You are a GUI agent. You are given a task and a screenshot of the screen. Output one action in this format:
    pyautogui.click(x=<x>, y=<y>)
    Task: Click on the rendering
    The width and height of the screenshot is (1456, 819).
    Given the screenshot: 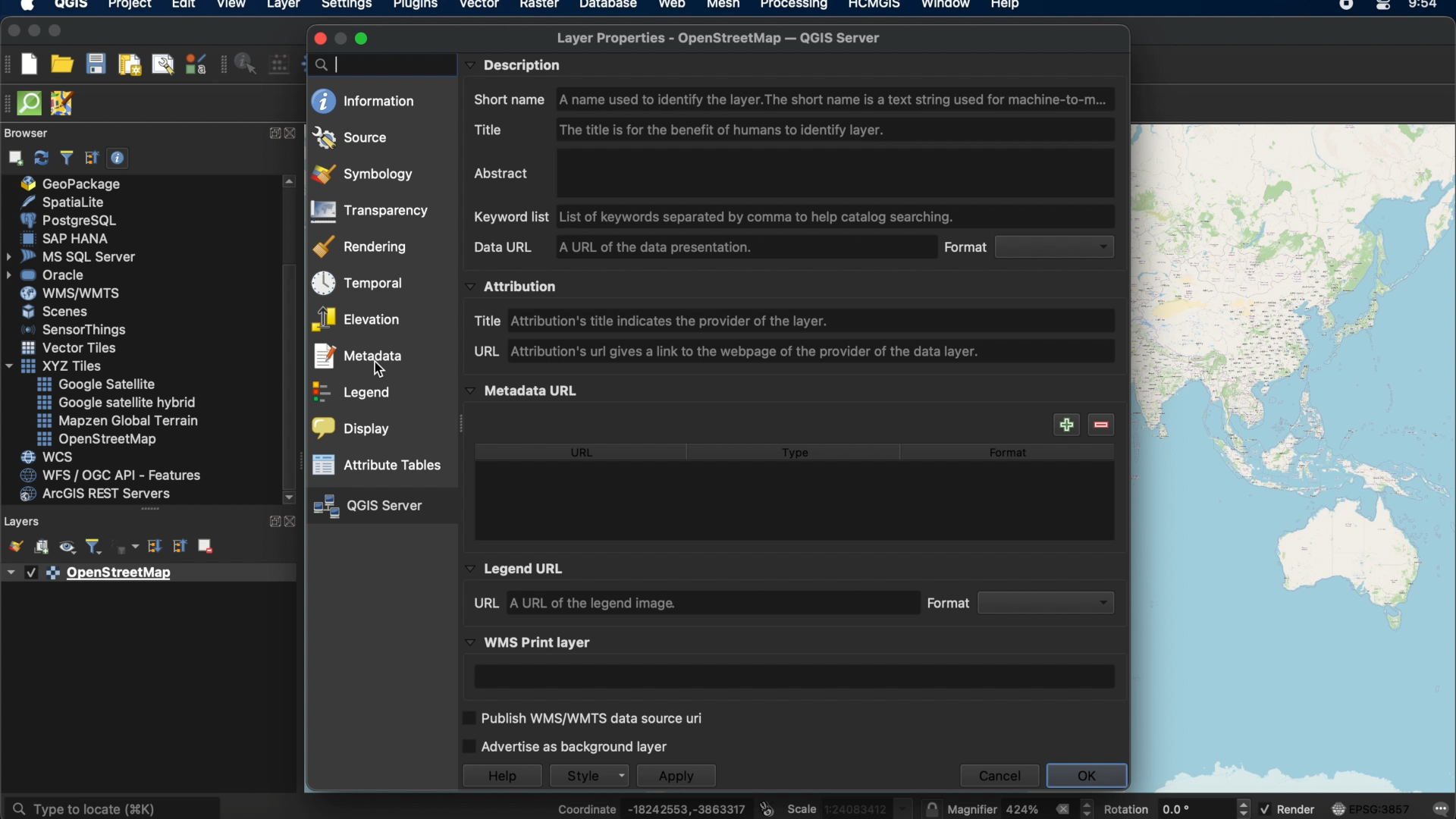 What is the action you would take?
    pyautogui.click(x=362, y=246)
    